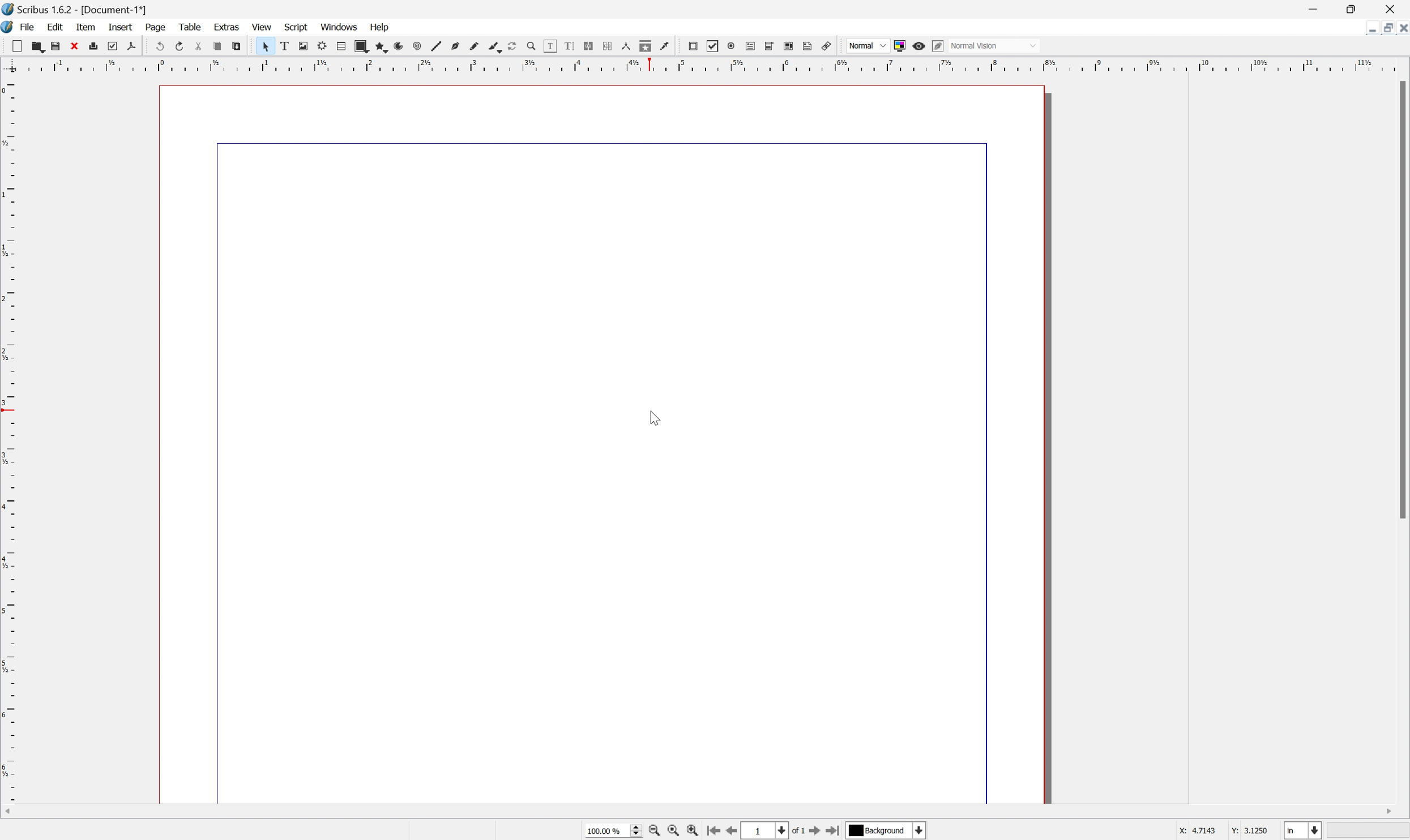 The width and height of the screenshot is (1410, 840). I want to click on Select current page, so click(773, 832).